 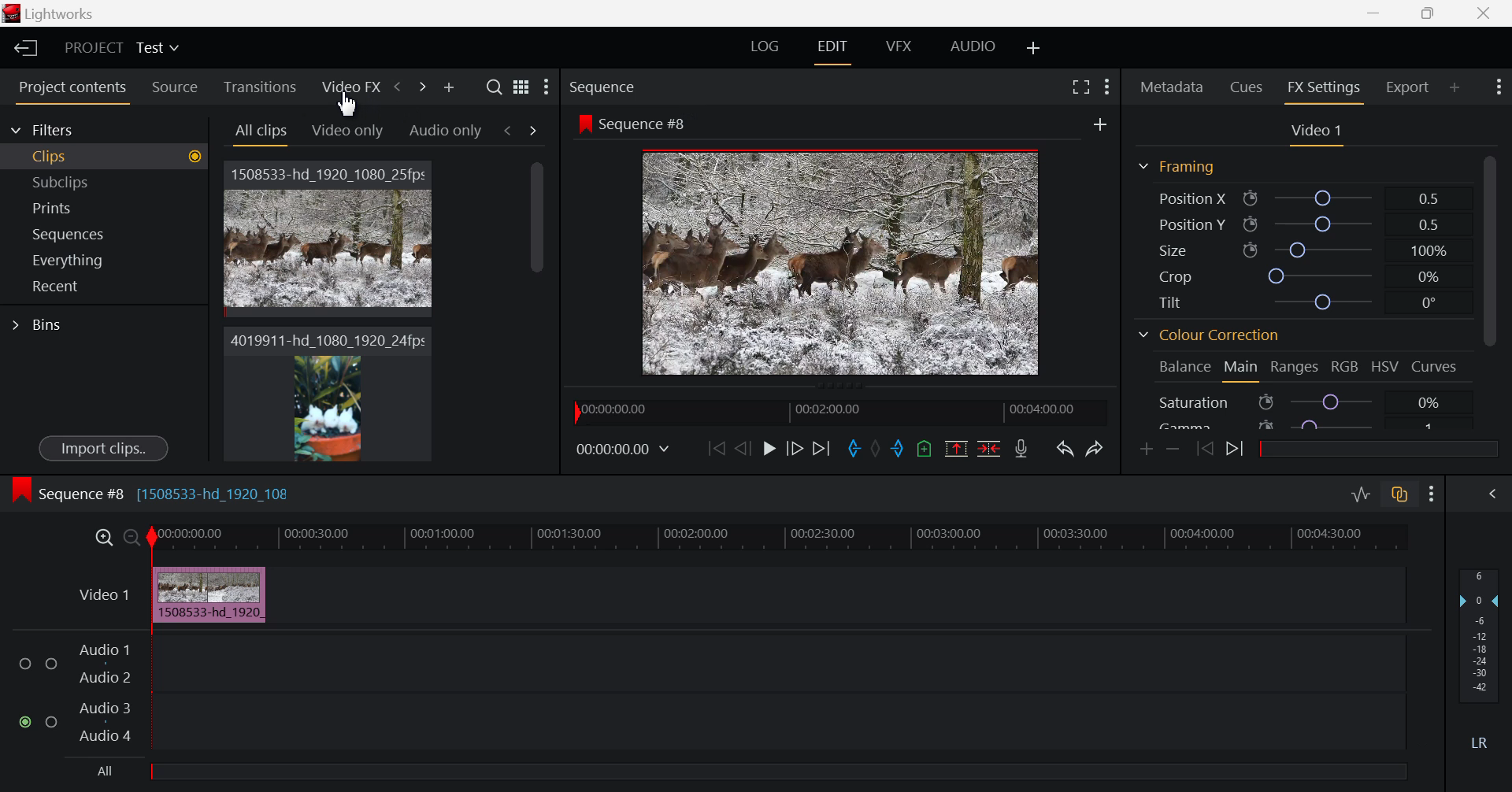 What do you see at coordinates (1294, 367) in the screenshot?
I see `Ranges` at bounding box center [1294, 367].